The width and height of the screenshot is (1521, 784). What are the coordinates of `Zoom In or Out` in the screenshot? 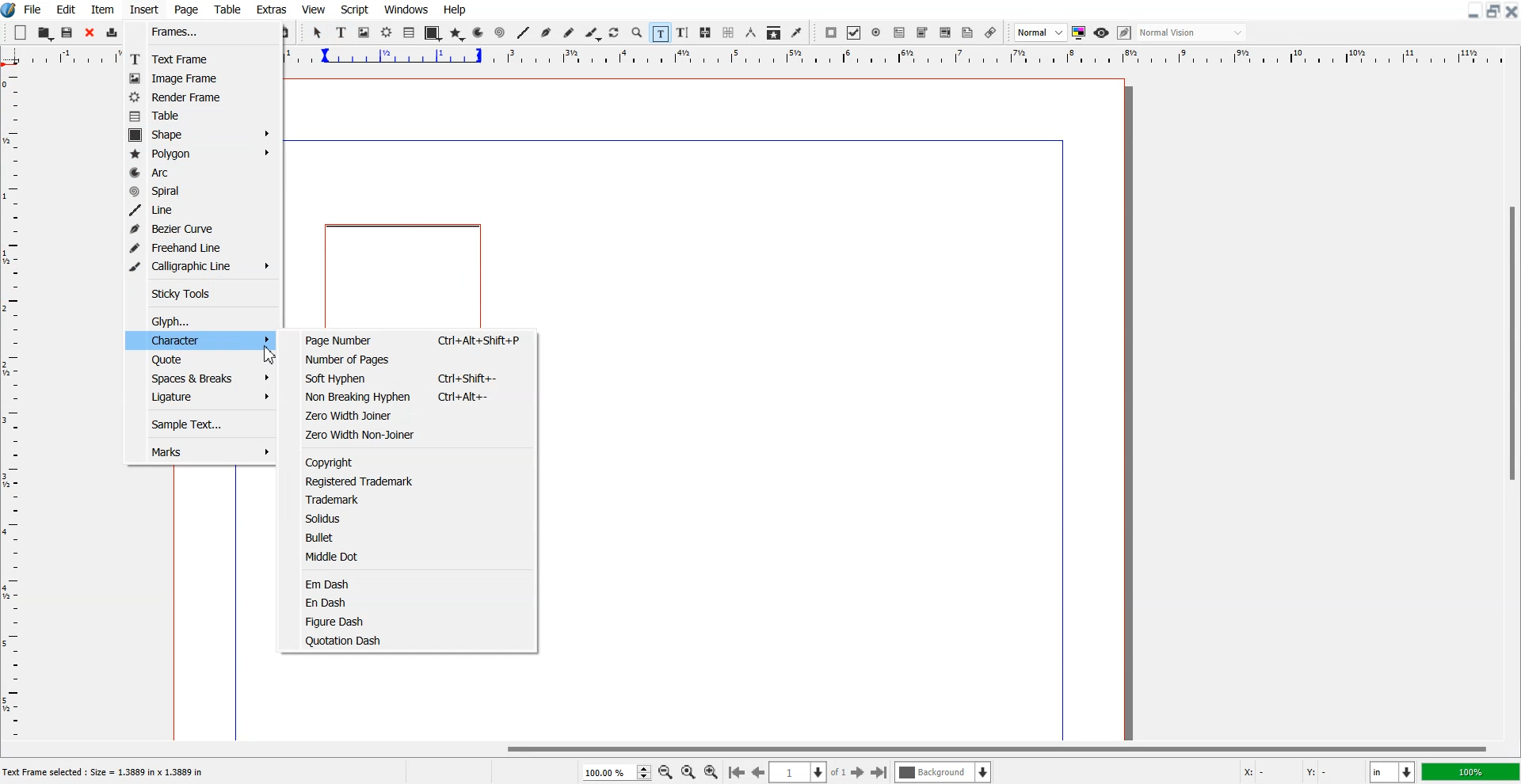 It's located at (637, 32).